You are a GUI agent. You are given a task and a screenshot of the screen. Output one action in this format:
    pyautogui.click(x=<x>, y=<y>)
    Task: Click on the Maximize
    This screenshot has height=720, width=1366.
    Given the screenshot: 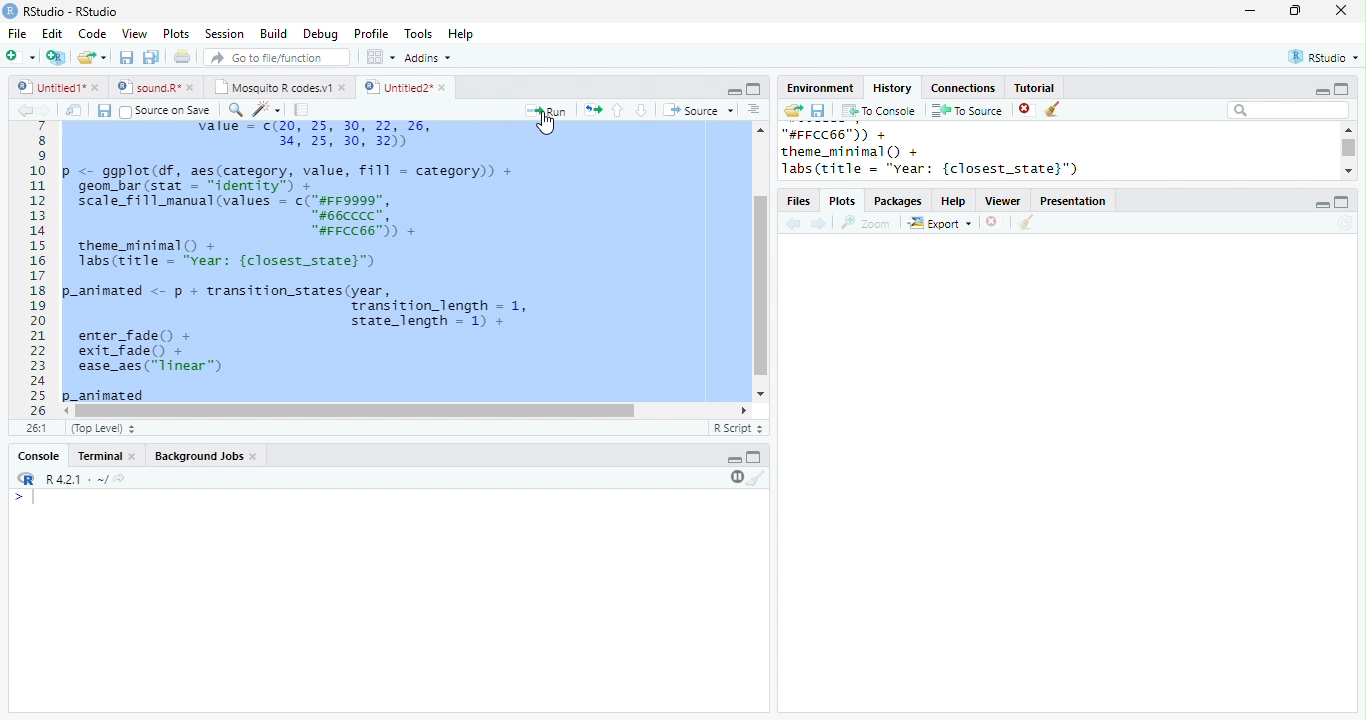 What is the action you would take?
    pyautogui.click(x=754, y=89)
    